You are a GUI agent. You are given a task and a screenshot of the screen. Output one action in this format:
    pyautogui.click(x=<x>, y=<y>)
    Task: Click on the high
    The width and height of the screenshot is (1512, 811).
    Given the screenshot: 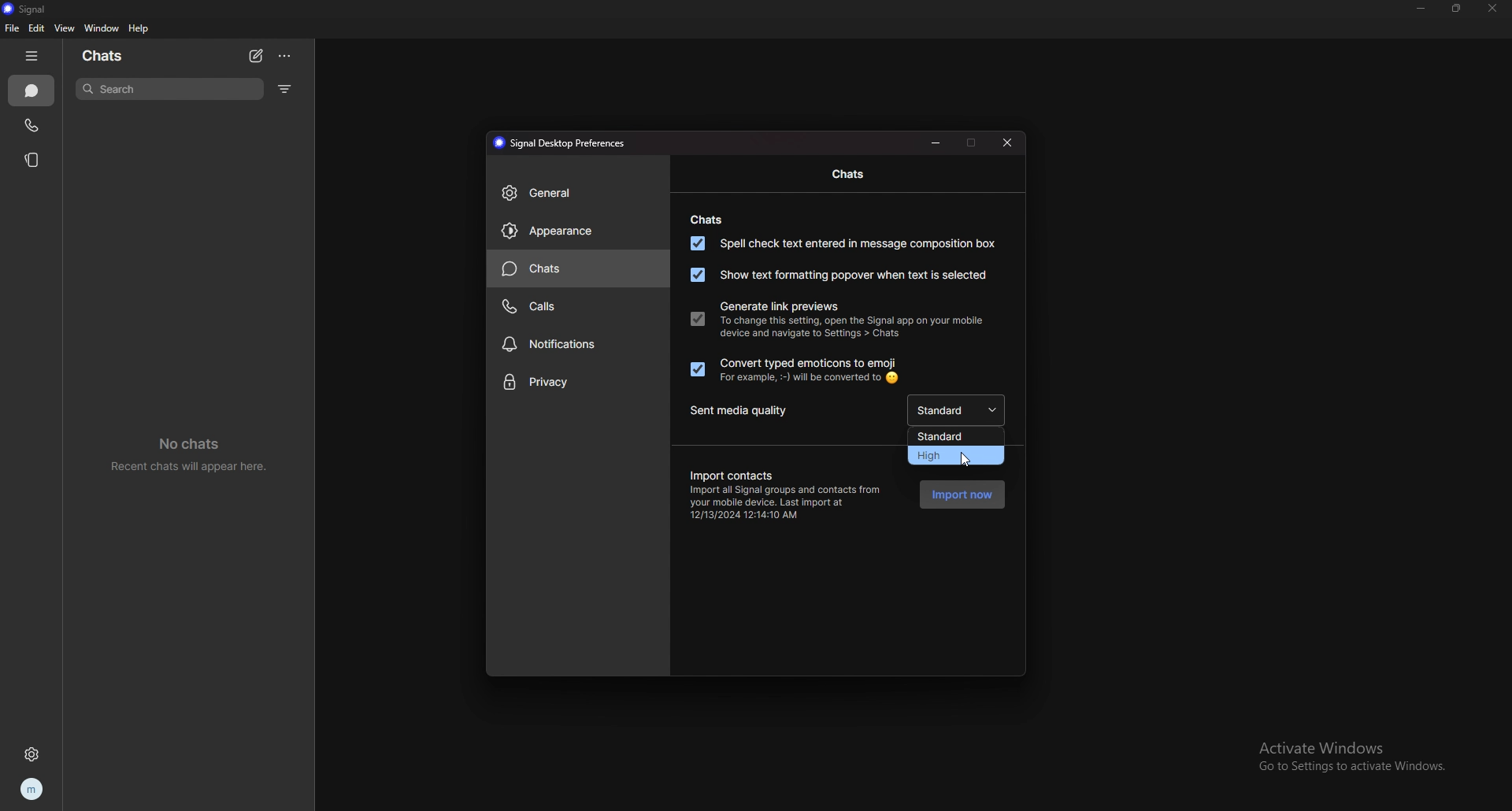 What is the action you would take?
    pyautogui.click(x=954, y=456)
    